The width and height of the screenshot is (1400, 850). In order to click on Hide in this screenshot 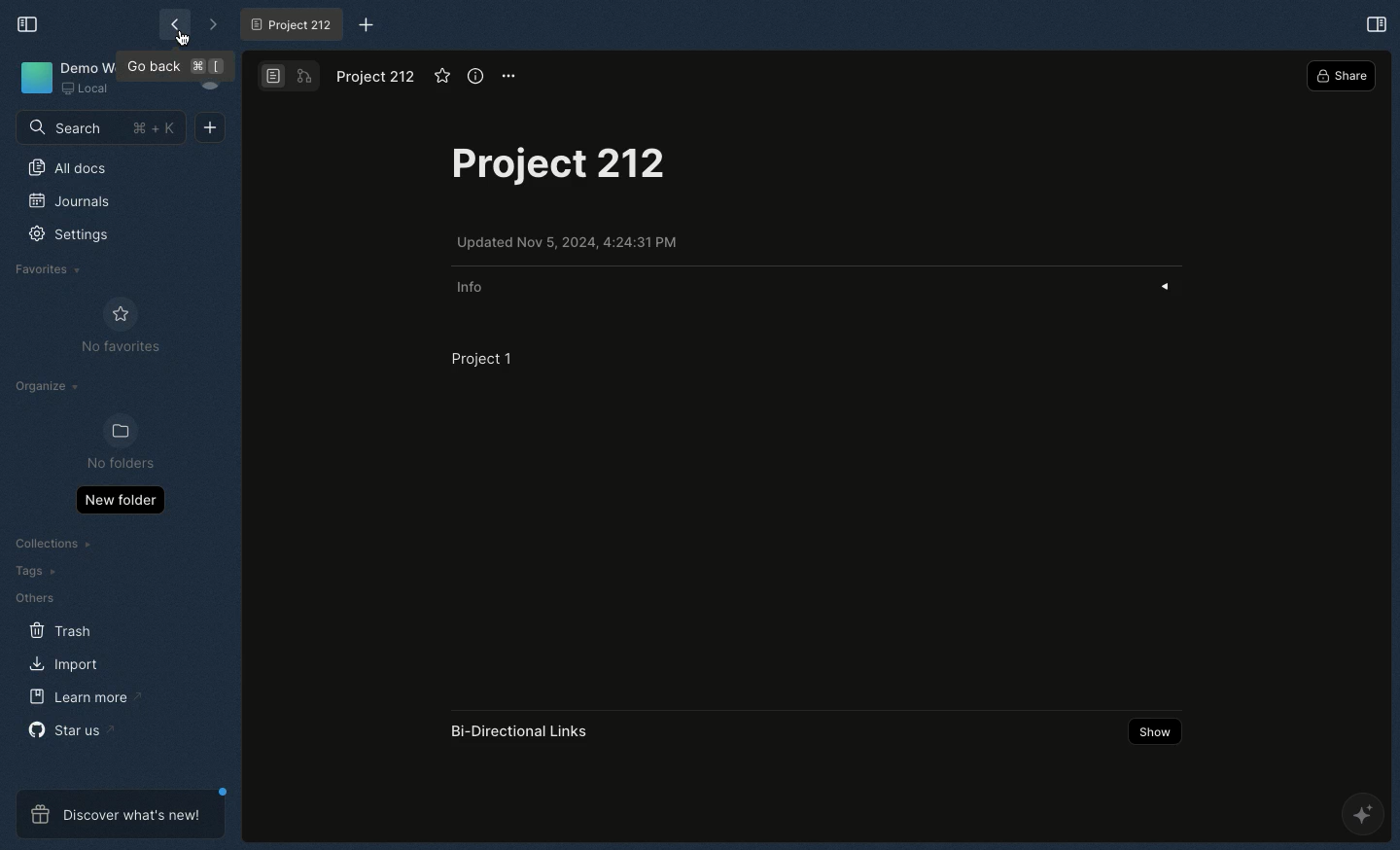, I will do `click(1172, 285)`.